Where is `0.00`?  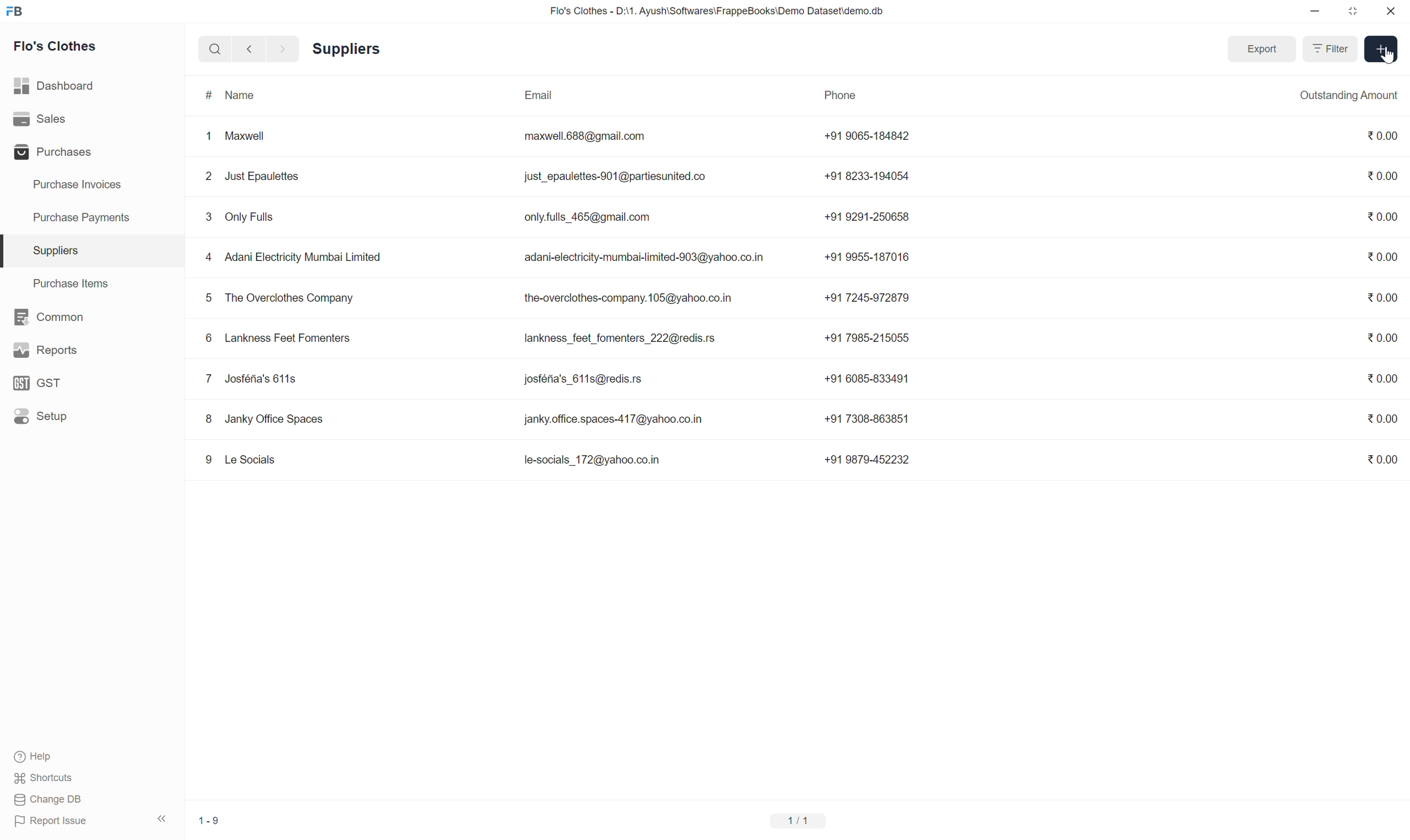
0.00 is located at coordinates (1382, 217).